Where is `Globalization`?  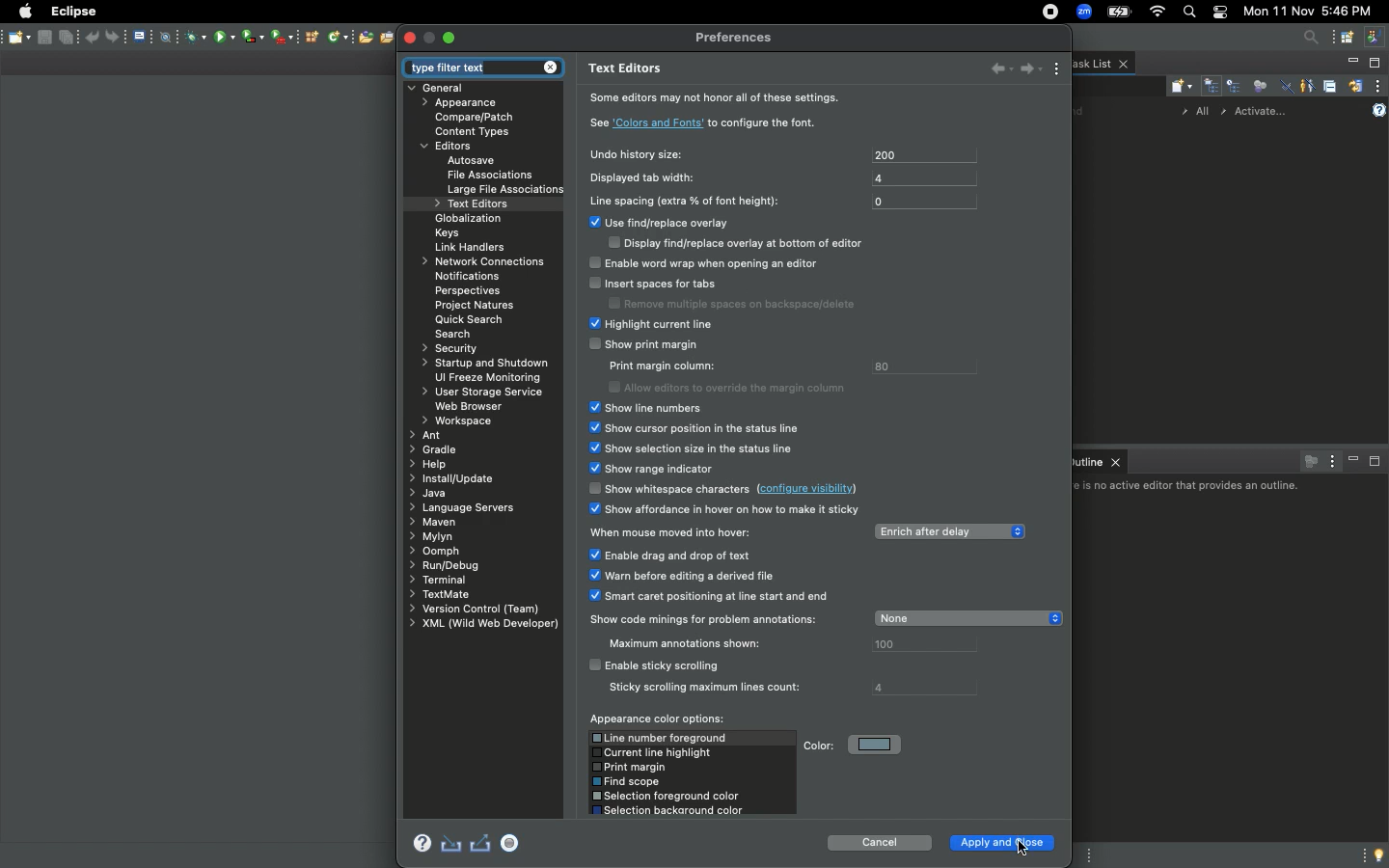 Globalization is located at coordinates (468, 220).